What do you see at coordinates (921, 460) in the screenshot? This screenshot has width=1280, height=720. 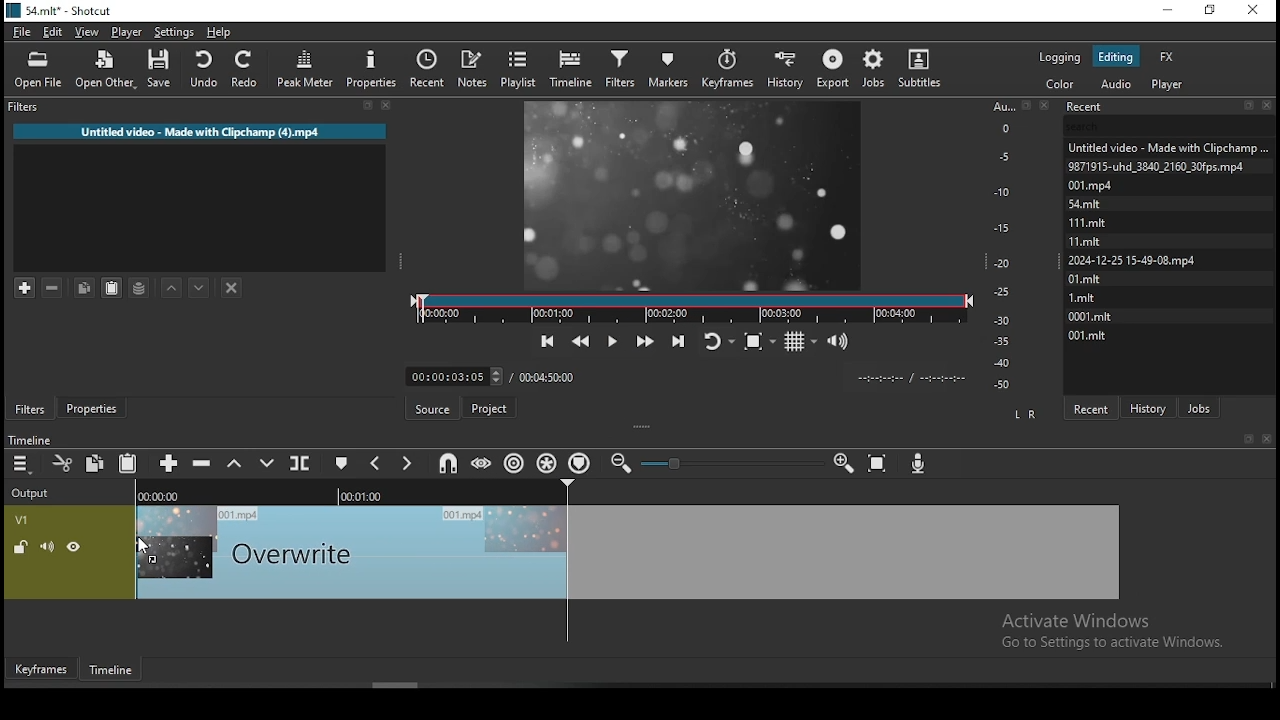 I see `record audio` at bounding box center [921, 460].